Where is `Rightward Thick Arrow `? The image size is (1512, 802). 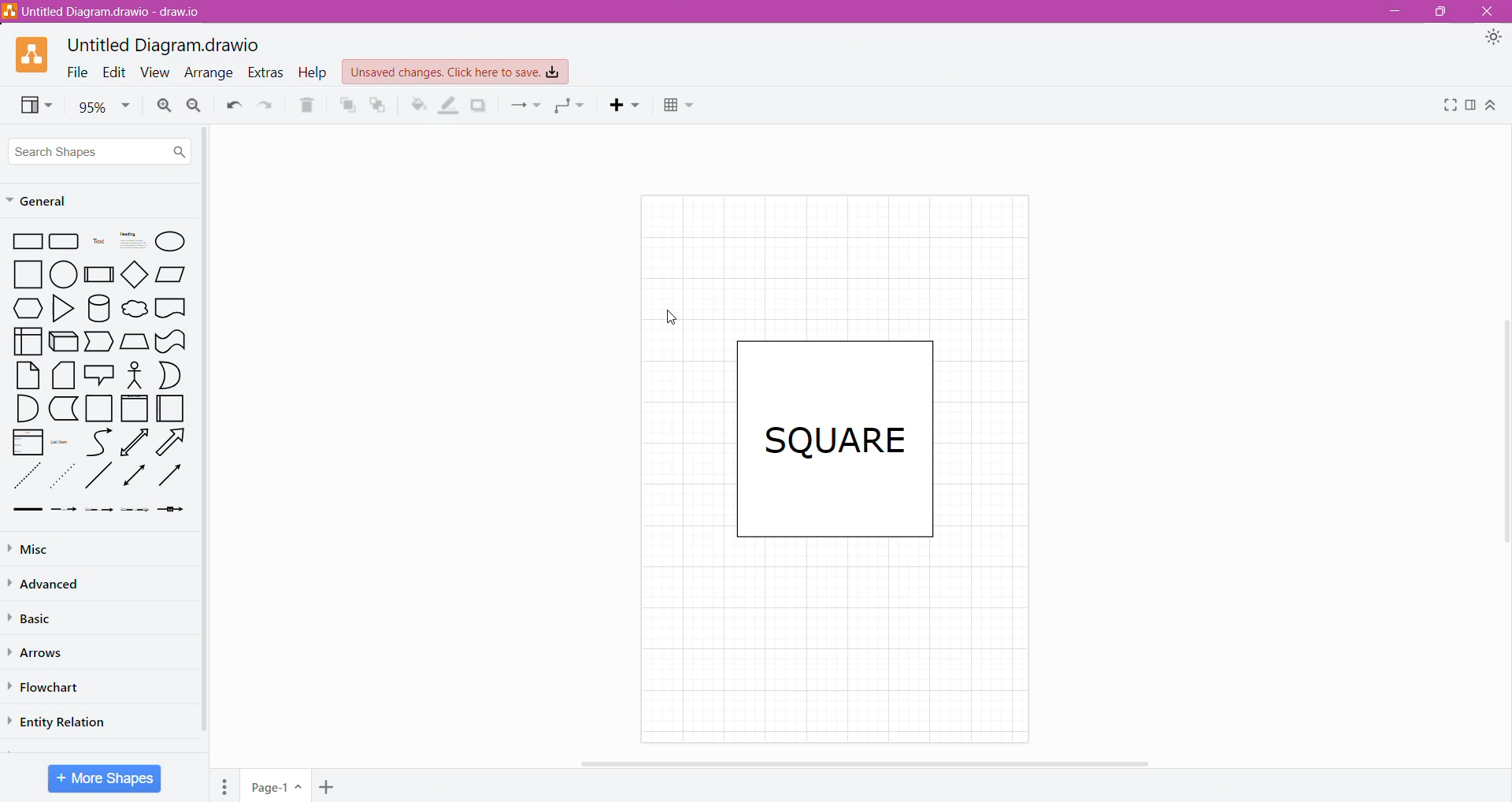 Rightward Thick Arrow  is located at coordinates (170, 476).